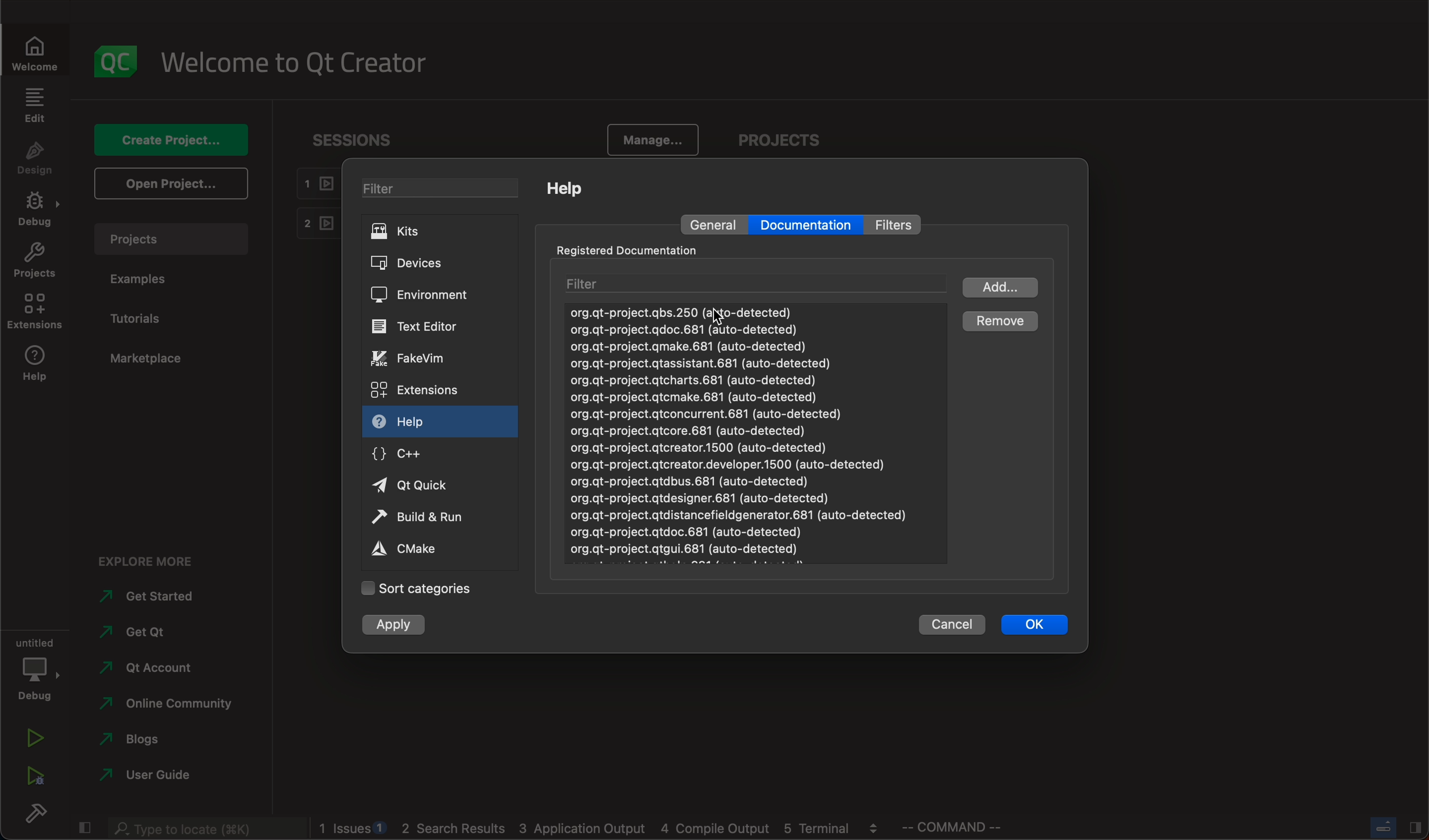  Describe the element at coordinates (35, 813) in the screenshot. I see `build` at that location.